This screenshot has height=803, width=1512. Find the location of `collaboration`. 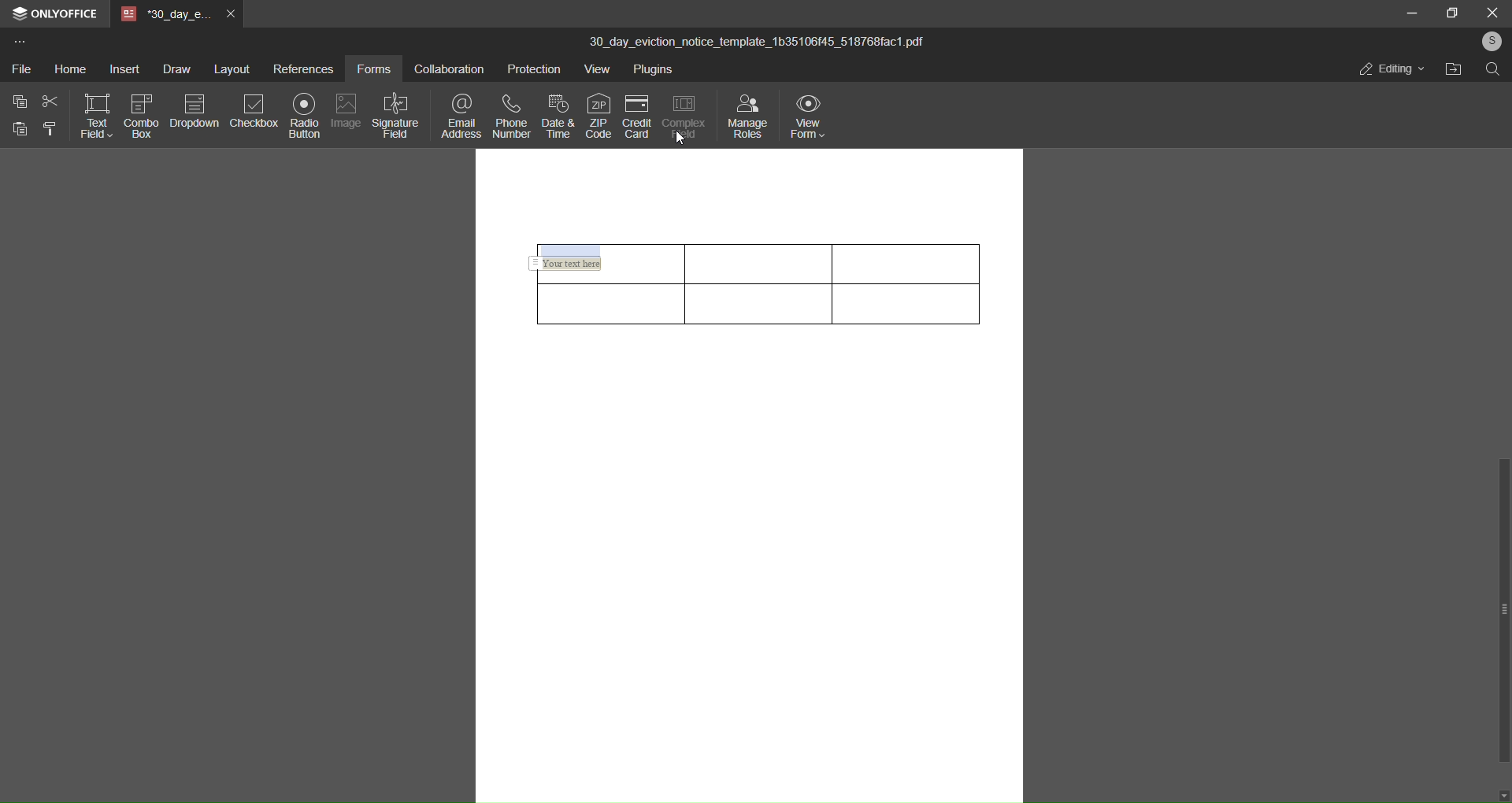

collaboration is located at coordinates (447, 71).